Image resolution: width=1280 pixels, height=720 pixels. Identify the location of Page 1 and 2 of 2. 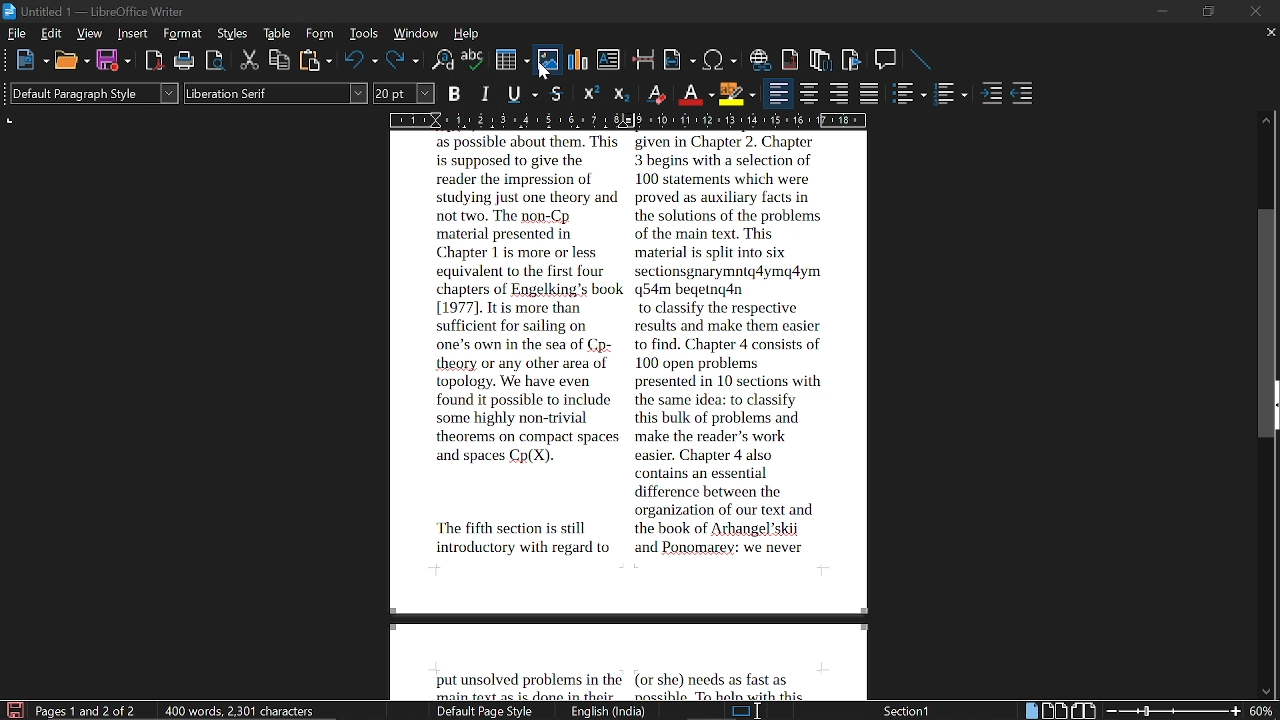
(89, 709).